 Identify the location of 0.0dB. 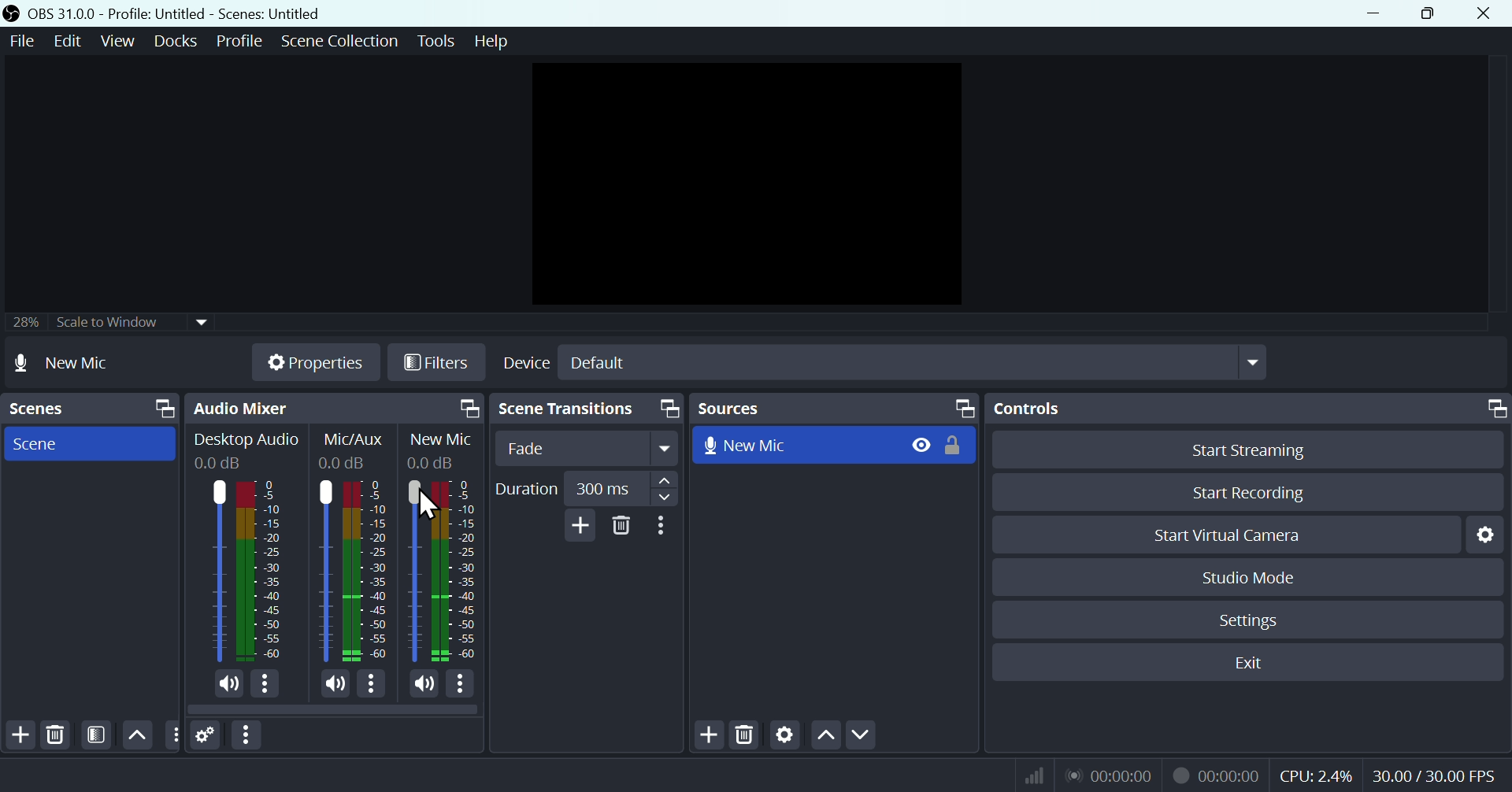
(345, 463).